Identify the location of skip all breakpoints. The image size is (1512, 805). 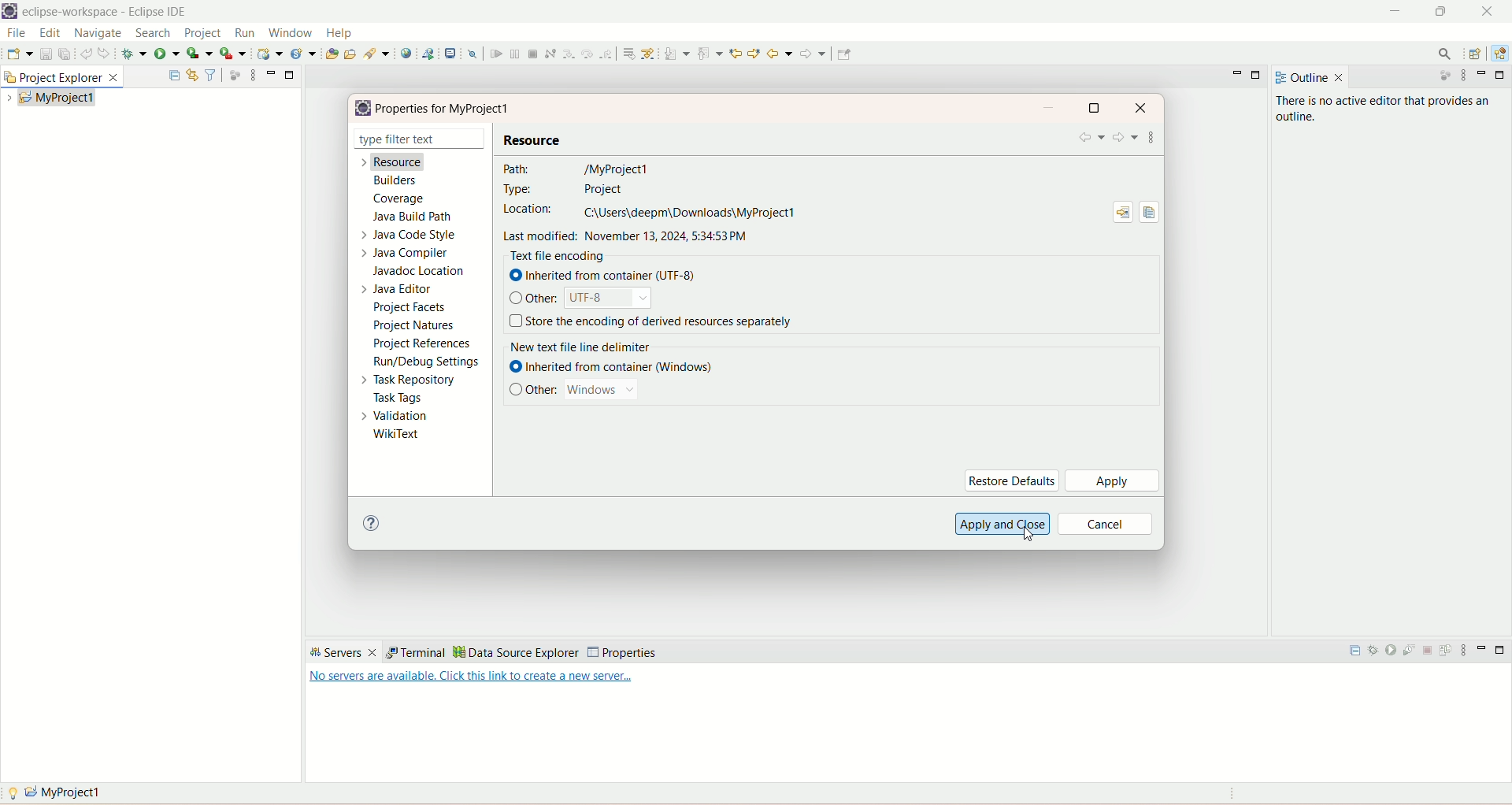
(472, 54).